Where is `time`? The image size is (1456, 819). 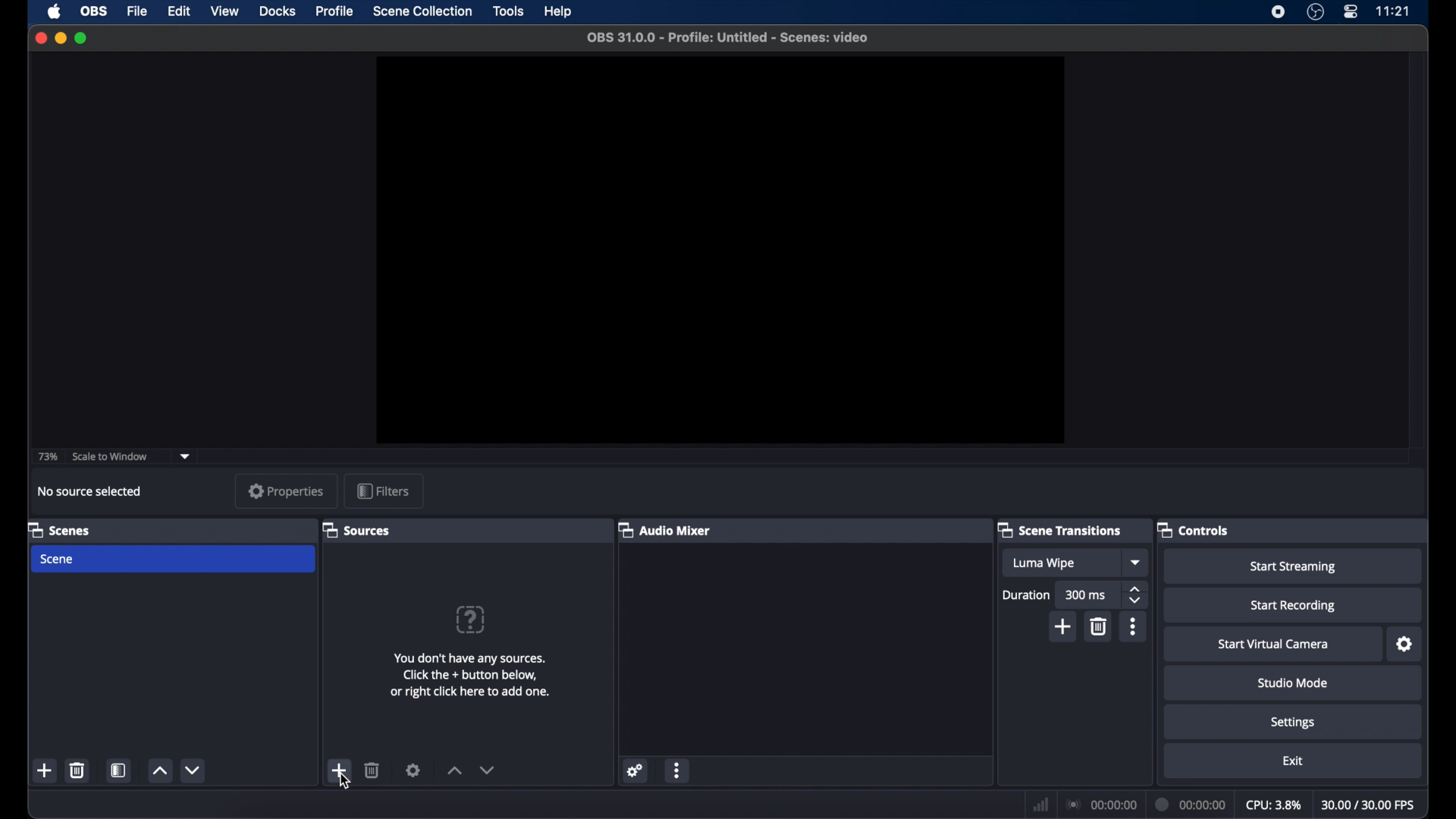
time is located at coordinates (1394, 11).